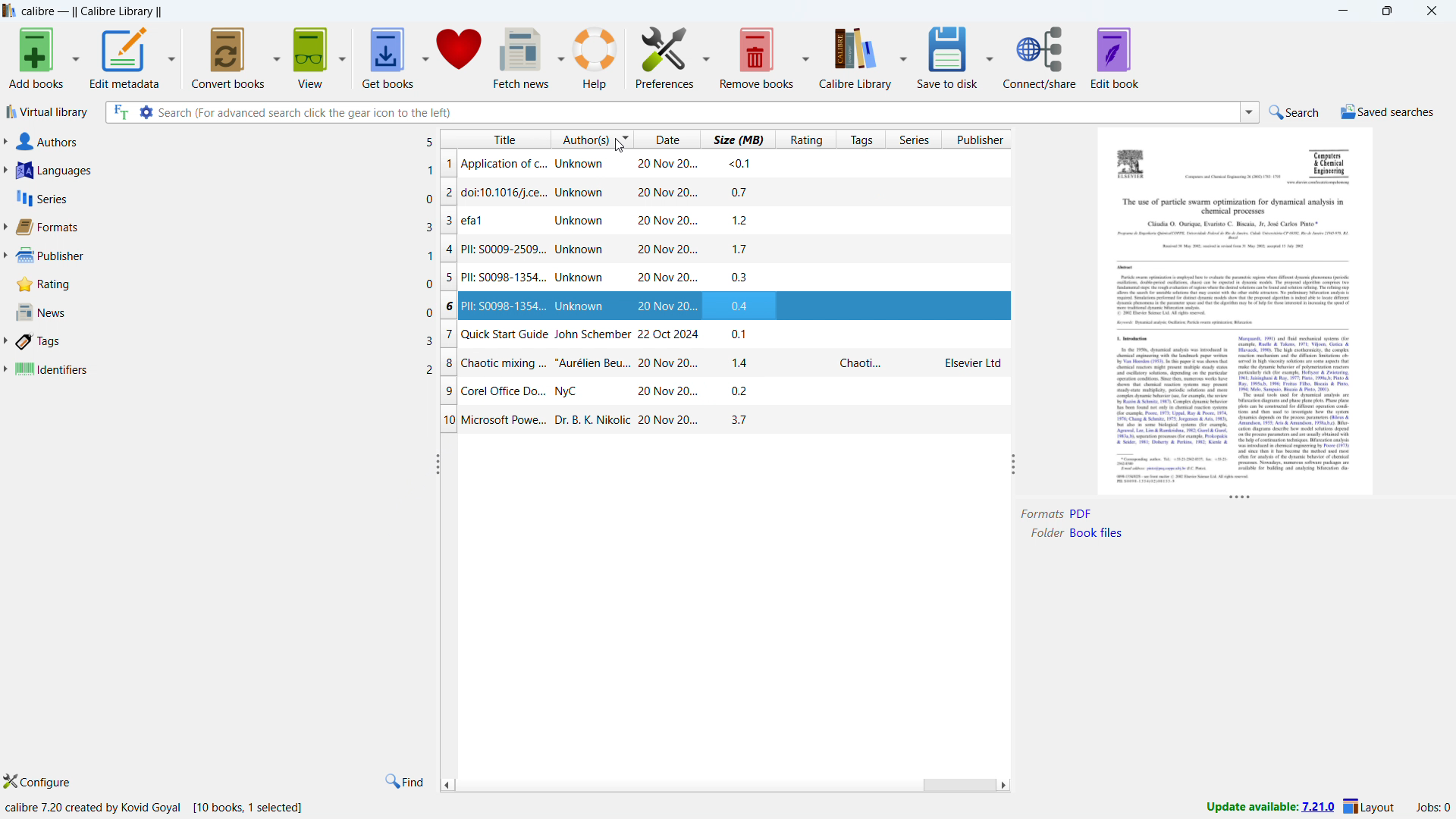 This screenshot has height=819, width=1456. Describe the element at coordinates (1129, 339) in the screenshot. I see `` at that location.